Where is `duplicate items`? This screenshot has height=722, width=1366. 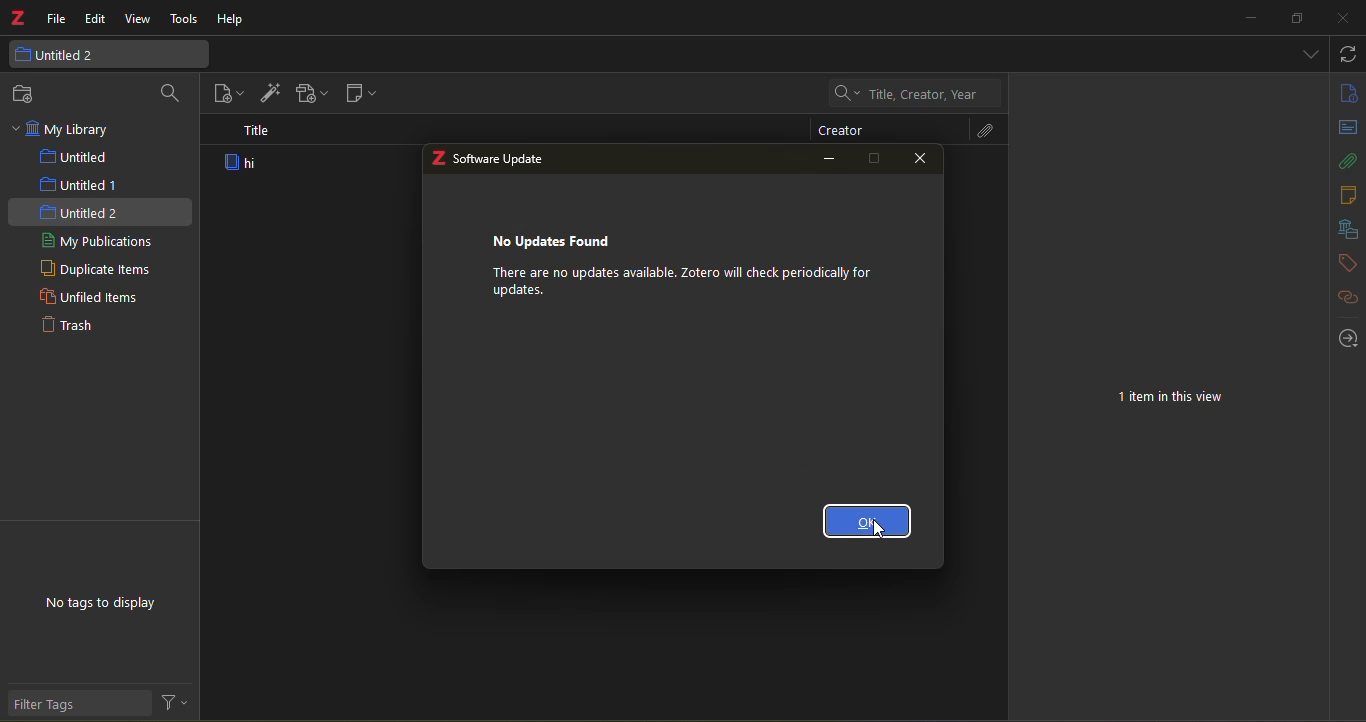
duplicate items is located at coordinates (95, 270).